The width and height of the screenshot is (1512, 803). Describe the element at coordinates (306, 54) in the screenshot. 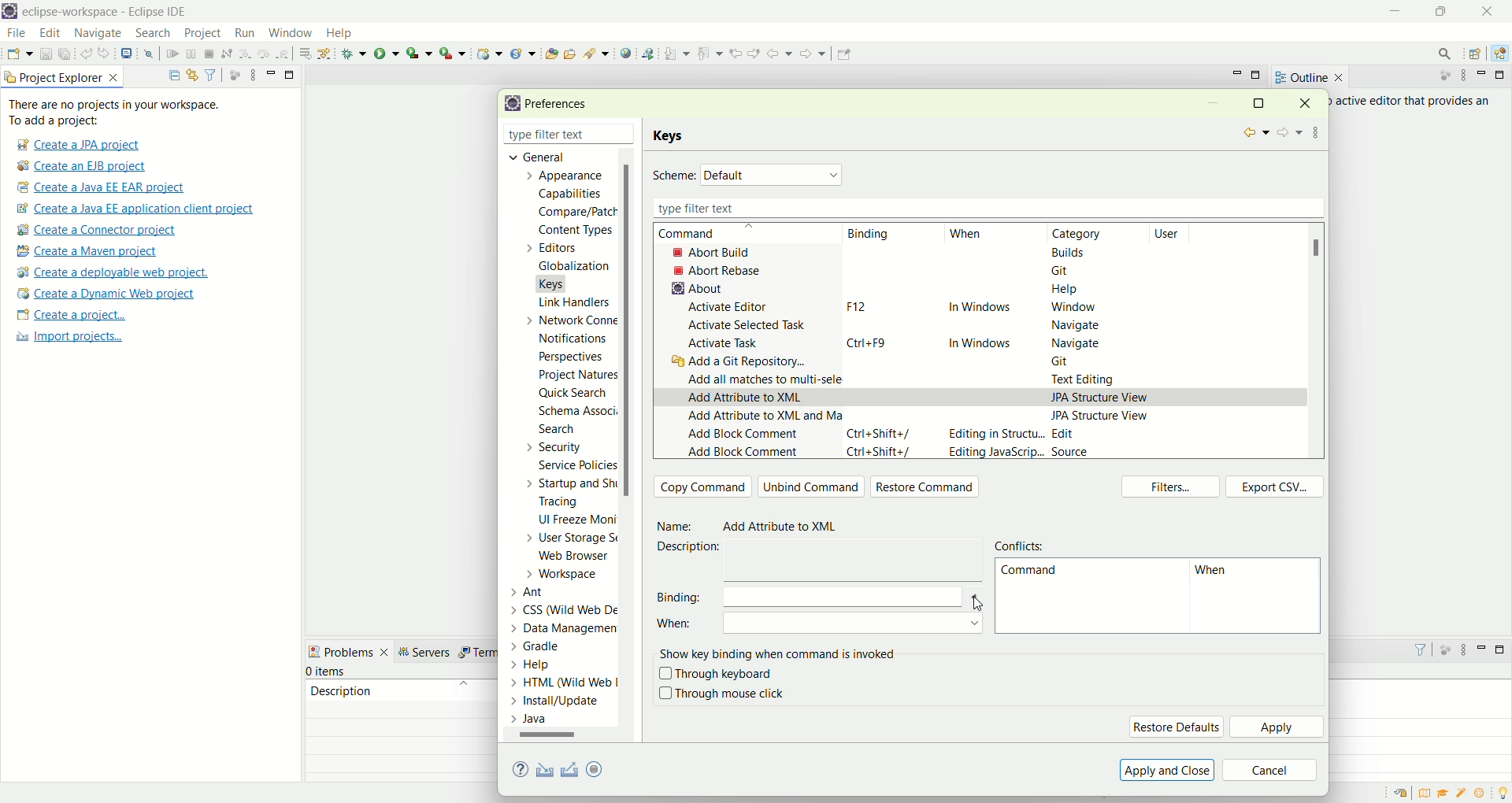

I see `drop to frames` at that location.